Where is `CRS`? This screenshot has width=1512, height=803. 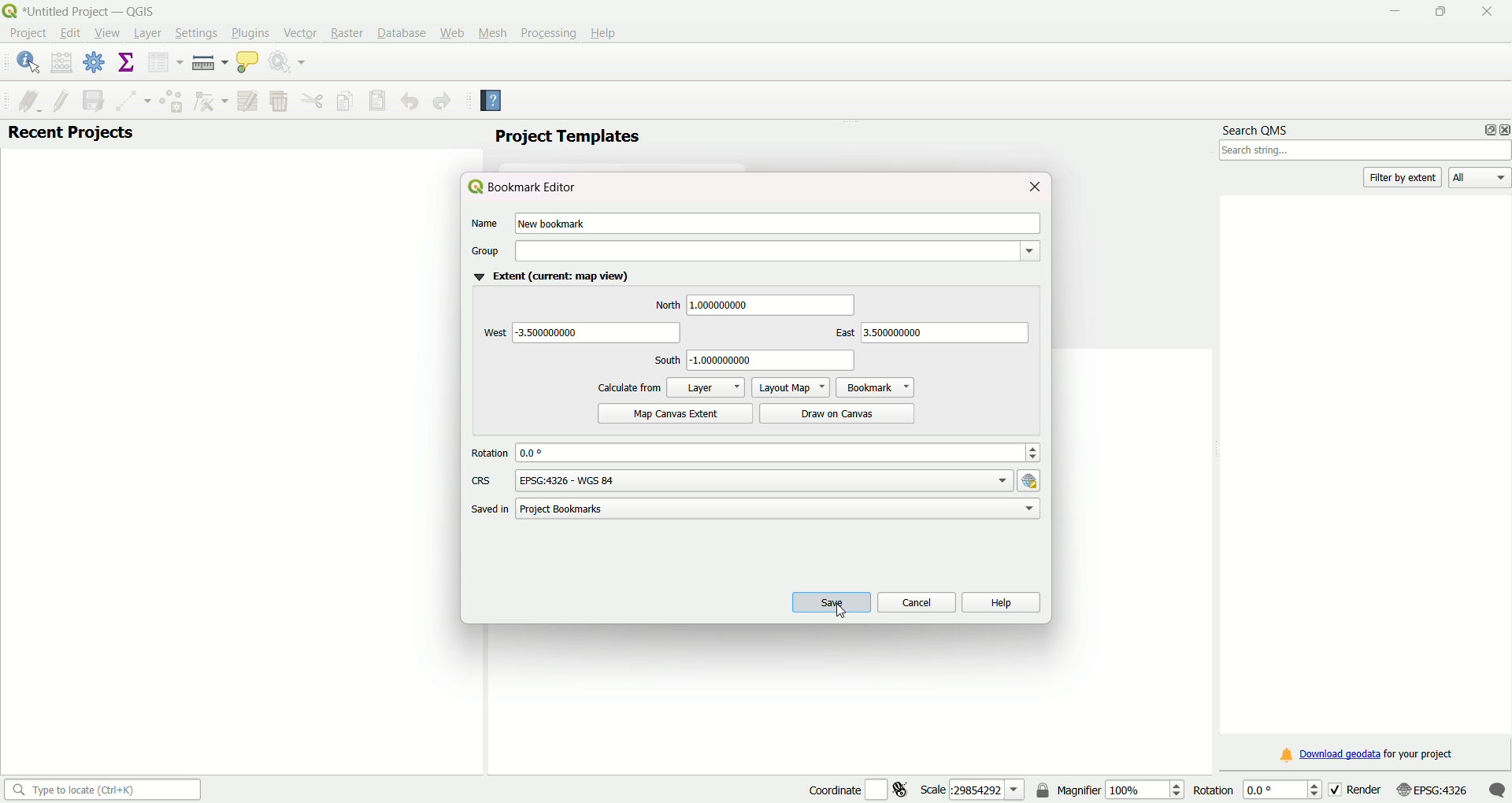 CRS is located at coordinates (482, 481).